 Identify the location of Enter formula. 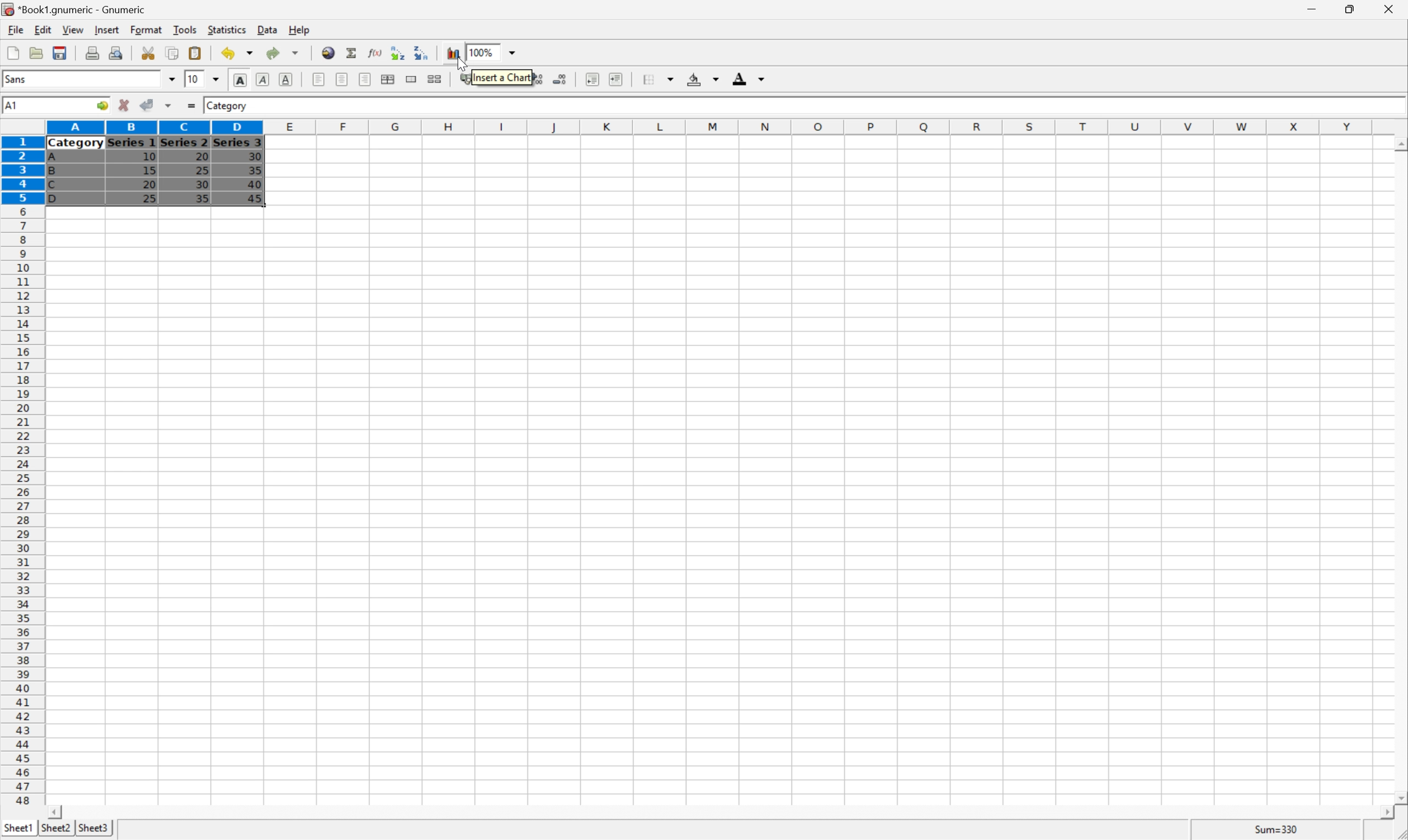
(193, 104).